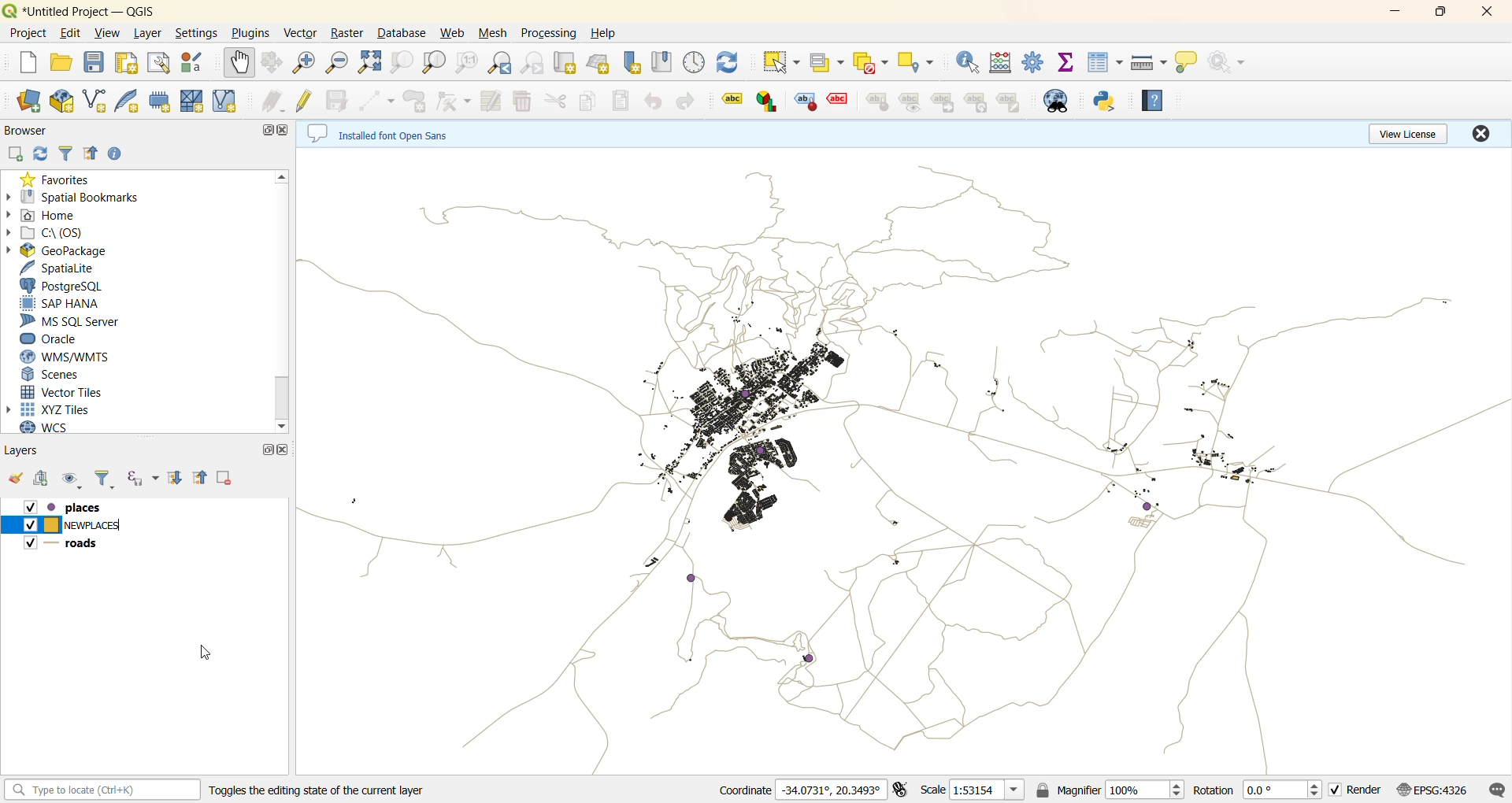 Image resolution: width=1512 pixels, height=803 pixels. Describe the element at coordinates (695, 64) in the screenshot. I see `control panel` at that location.